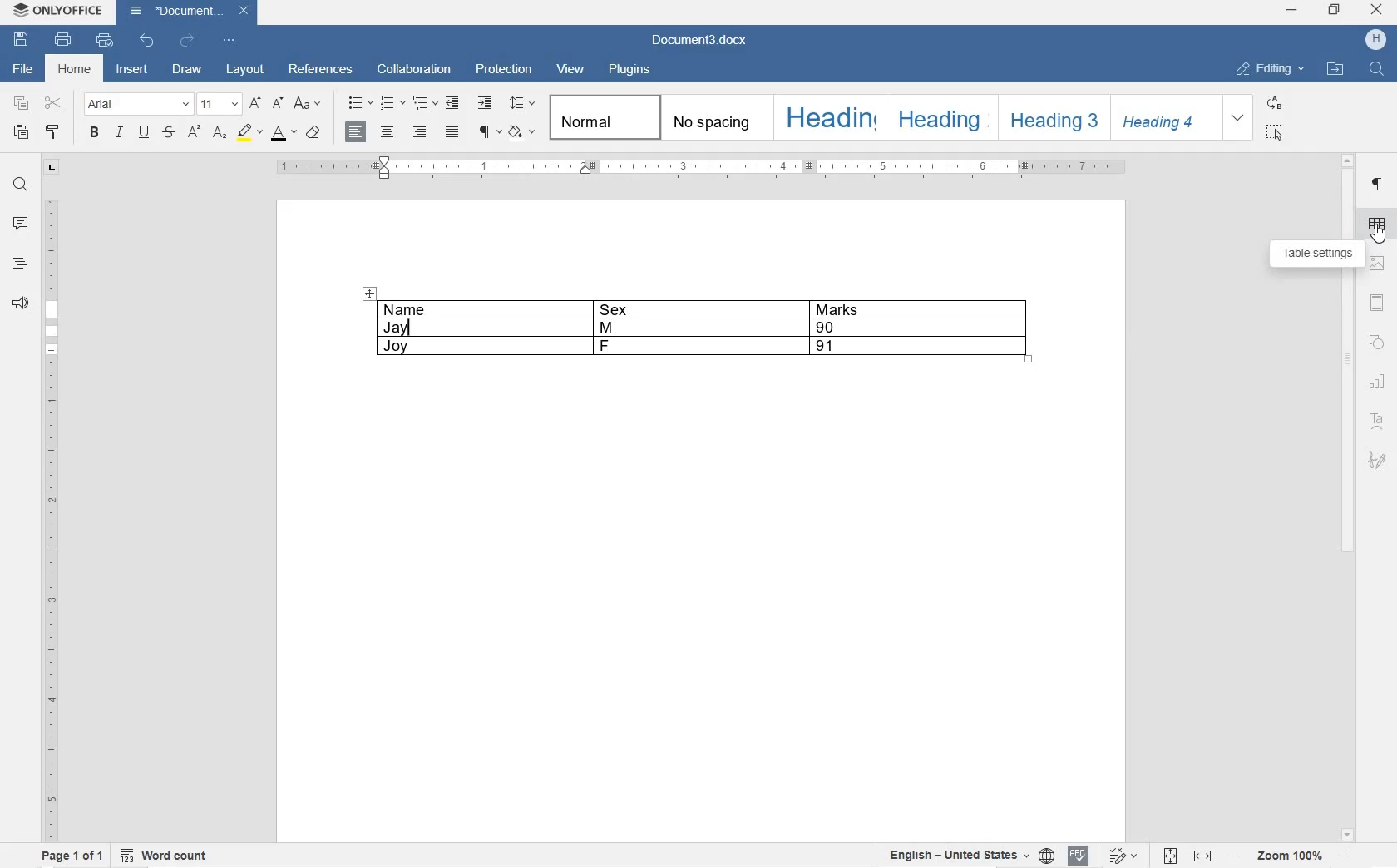 This screenshot has height=868, width=1397. I want to click on PARAGRAPH SETTINGS, so click(1376, 186).